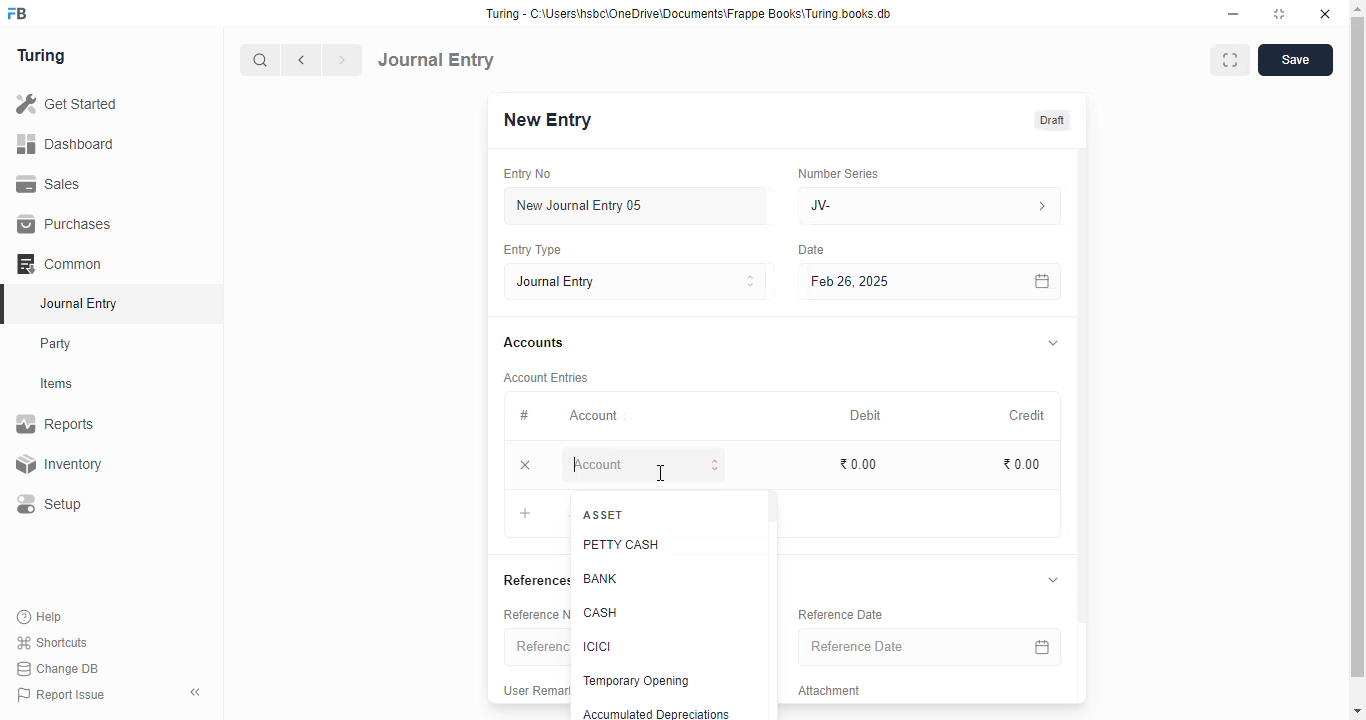  Describe the element at coordinates (52, 643) in the screenshot. I see `shortcuts` at that location.